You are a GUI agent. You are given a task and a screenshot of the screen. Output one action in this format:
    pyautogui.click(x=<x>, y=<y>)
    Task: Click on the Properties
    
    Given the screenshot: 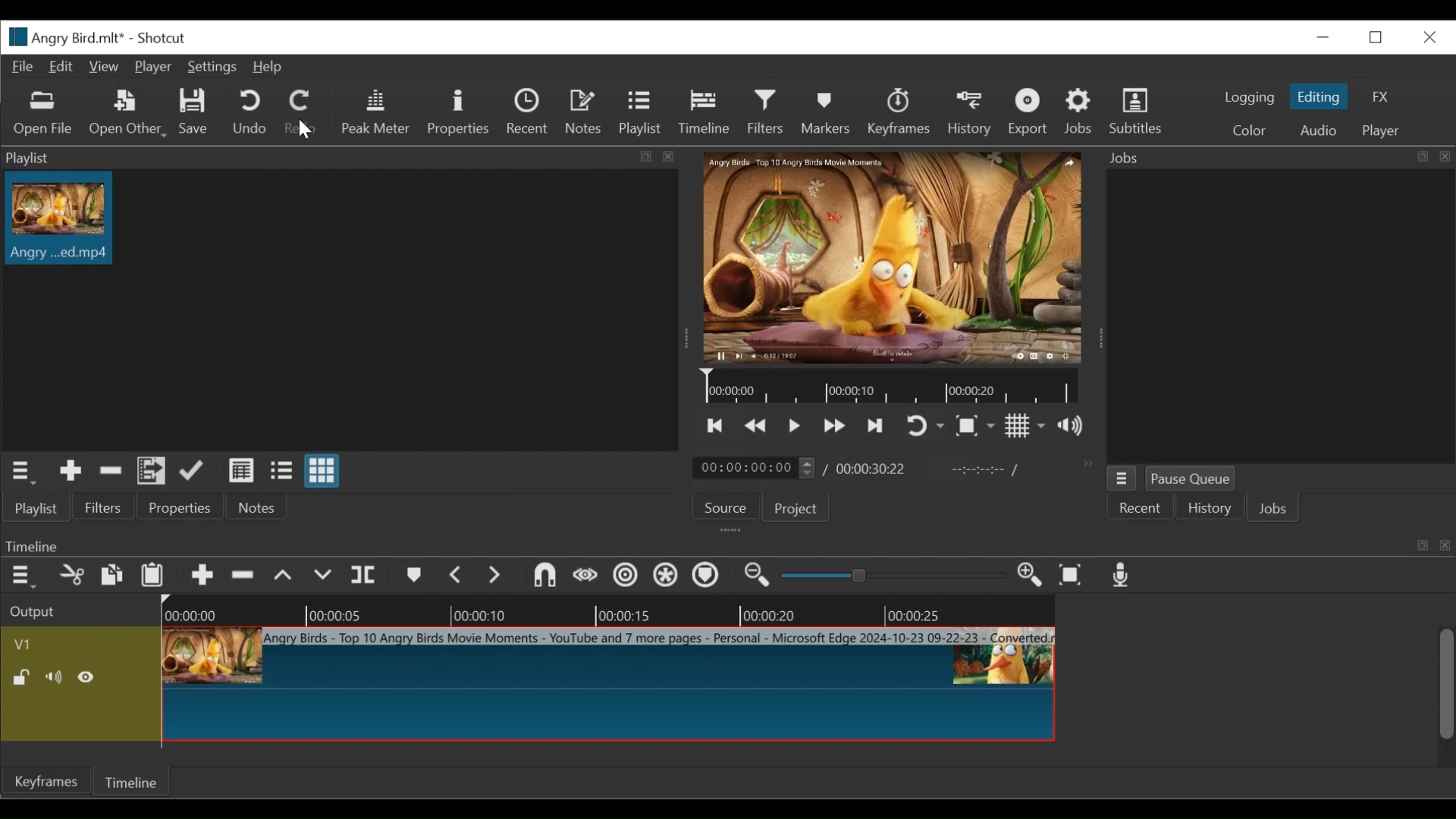 What is the action you would take?
    pyautogui.click(x=458, y=111)
    